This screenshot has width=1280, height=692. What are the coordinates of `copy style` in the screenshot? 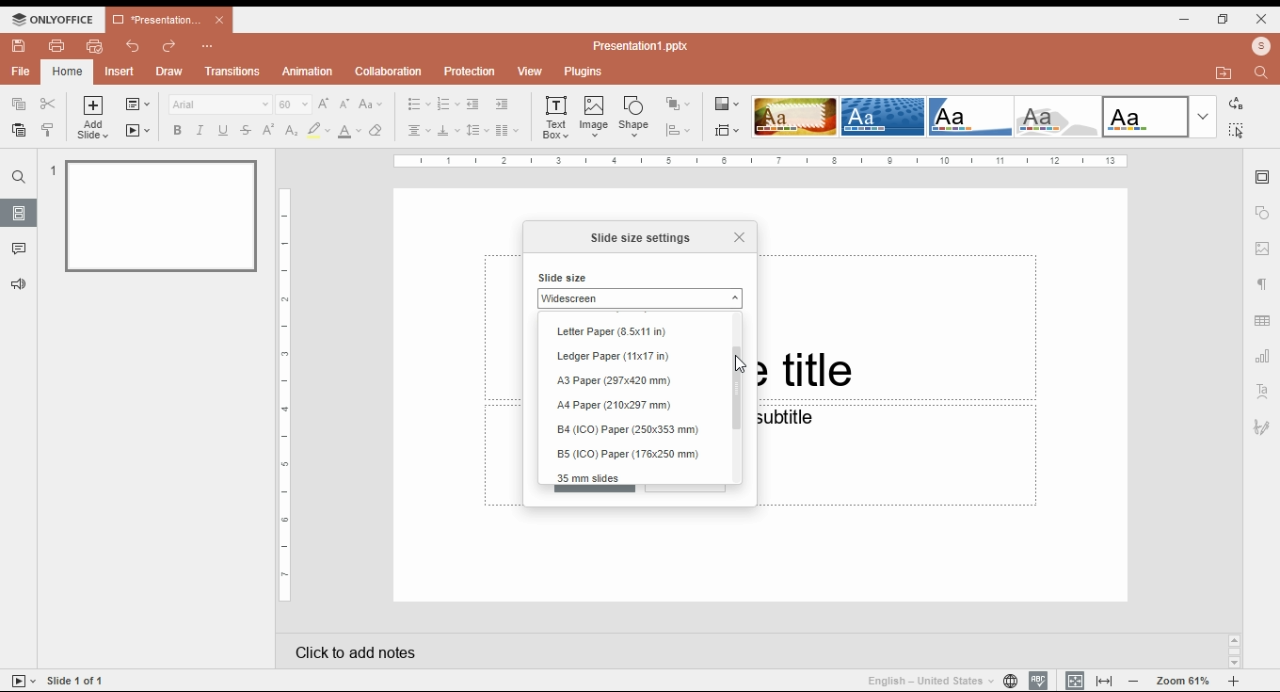 It's located at (50, 129).